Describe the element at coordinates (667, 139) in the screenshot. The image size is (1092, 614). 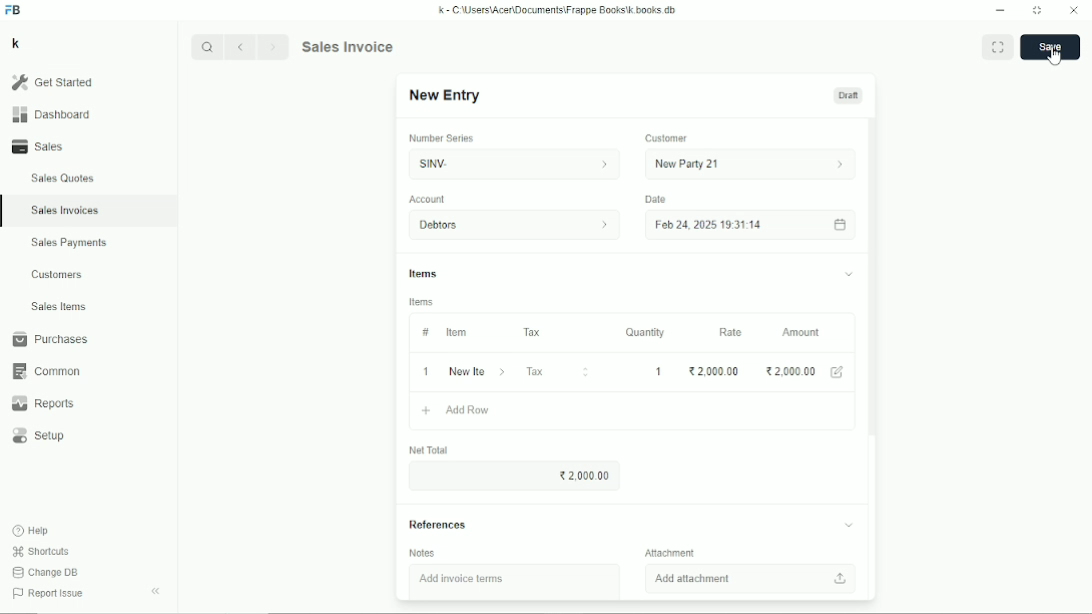
I see `Customer` at that location.